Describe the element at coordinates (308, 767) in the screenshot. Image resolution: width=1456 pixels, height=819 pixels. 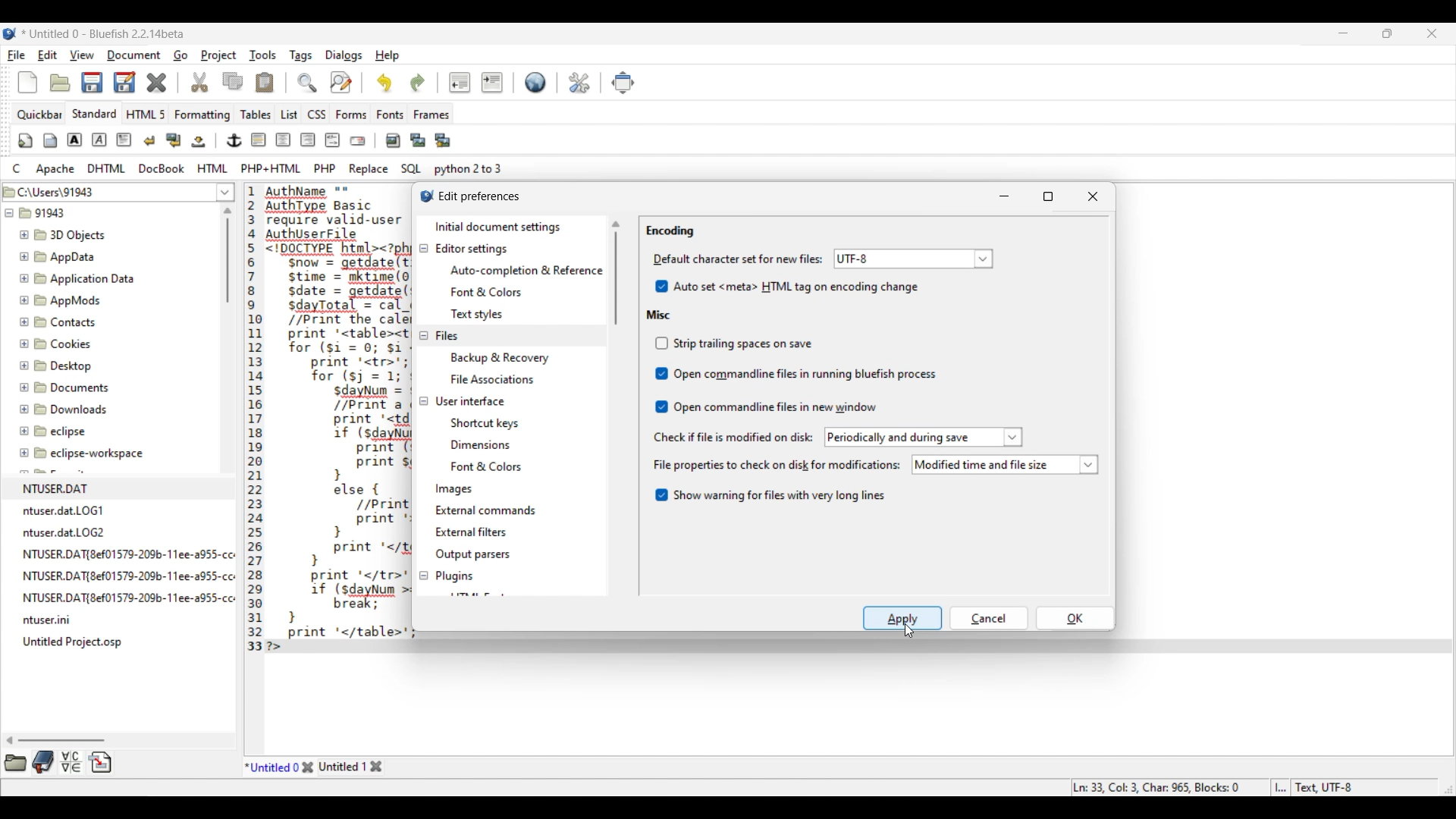
I see `Close tab` at that location.